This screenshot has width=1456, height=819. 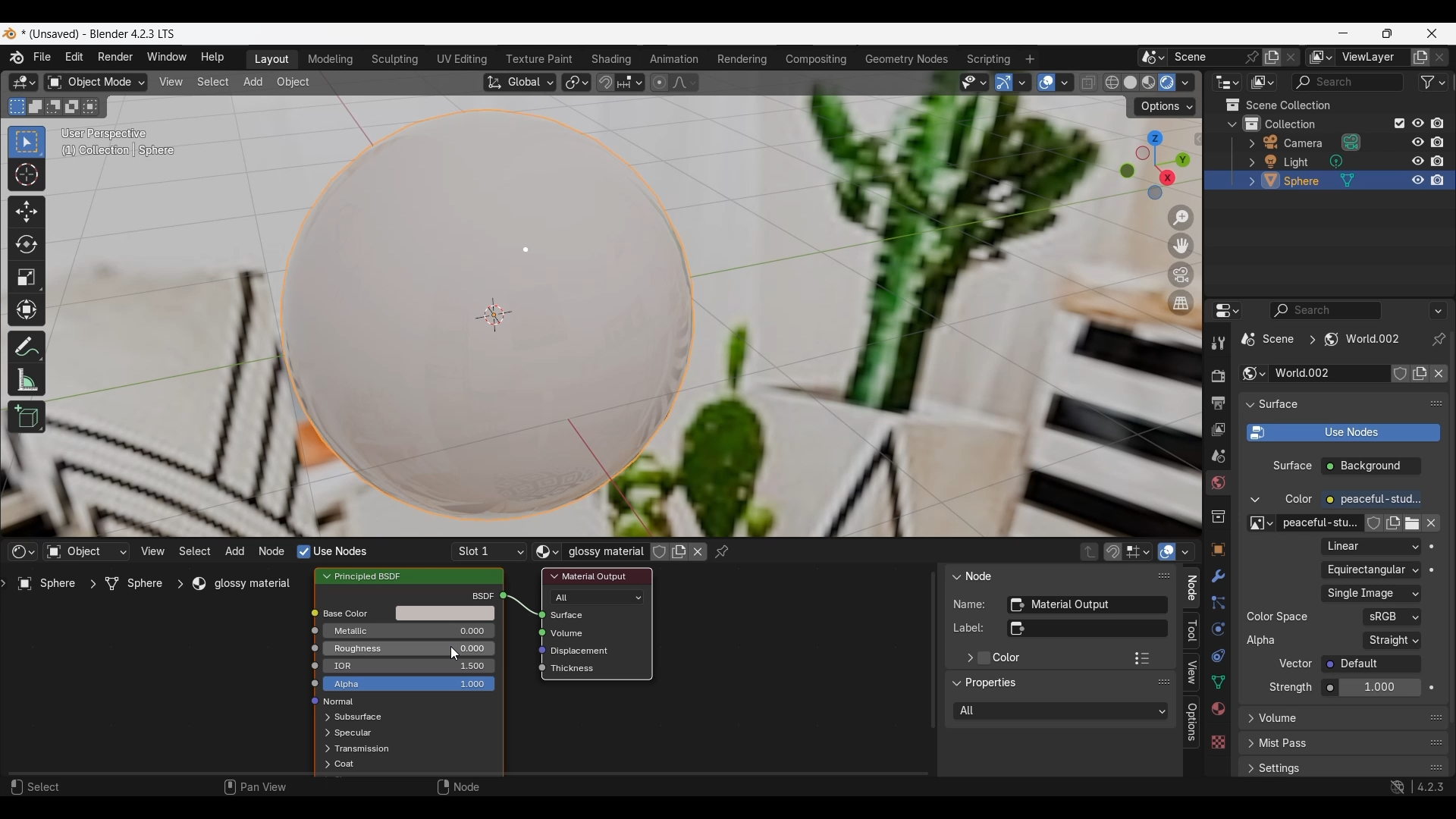 I want to click on Add cube, so click(x=27, y=416).